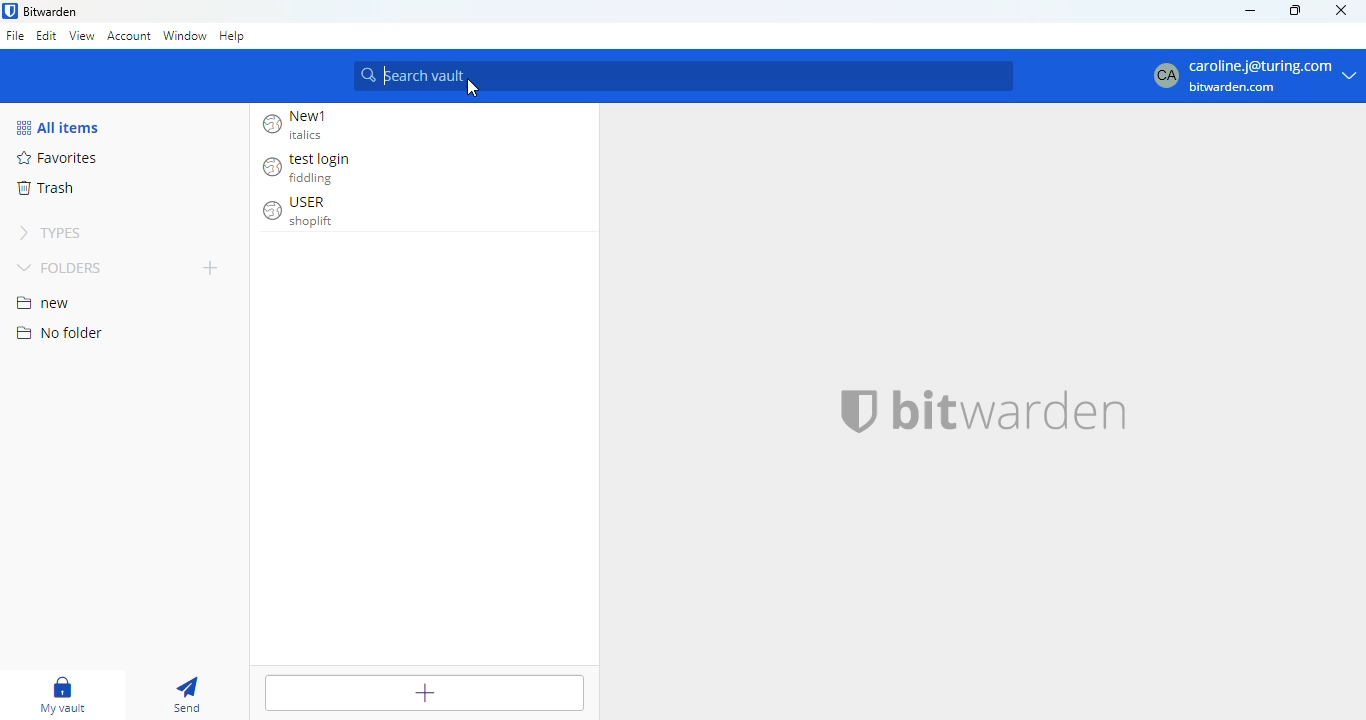 This screenshot has width=1366, height=720. Describe the element at coordinates (45, 188) in the screenshot. I see `trash` at that location.